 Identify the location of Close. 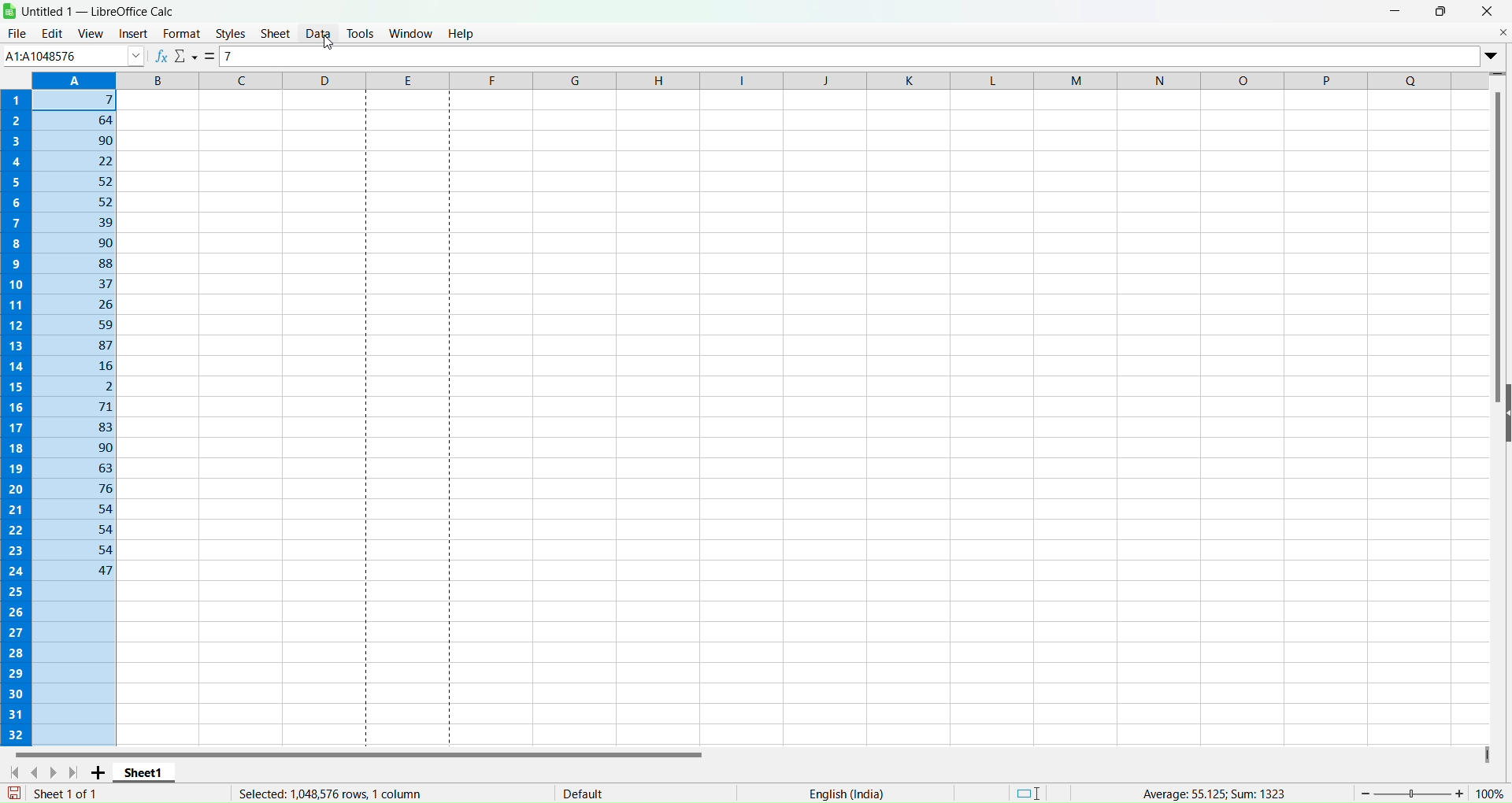
(1487, 11).